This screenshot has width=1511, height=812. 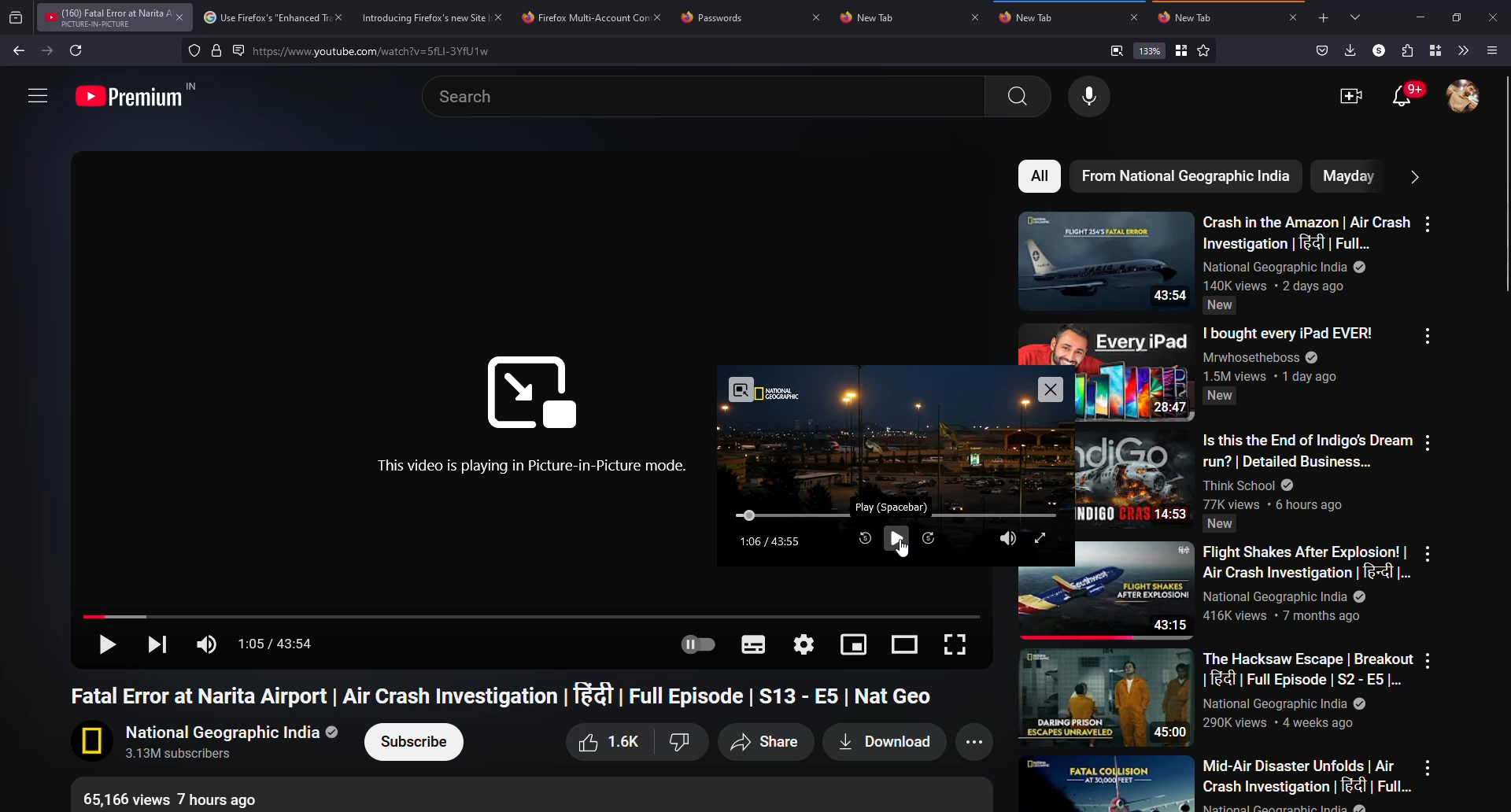 What do you see at coordinates (1106, 698) in the screenshot?
I see `Video thumbnail` at bounding box center [1106, 698].